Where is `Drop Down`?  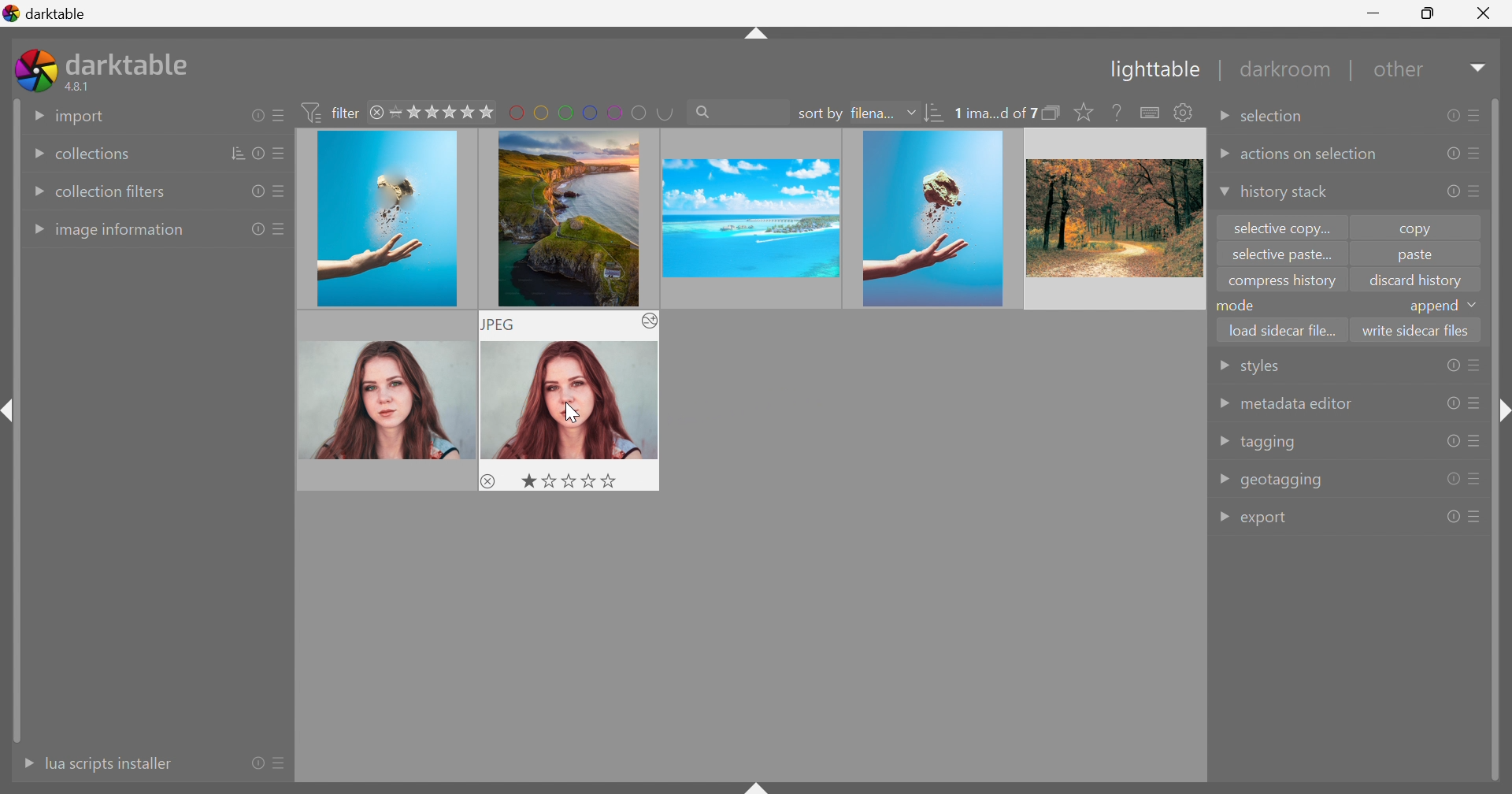 Drop Down is located at coordinates (1221, 193).